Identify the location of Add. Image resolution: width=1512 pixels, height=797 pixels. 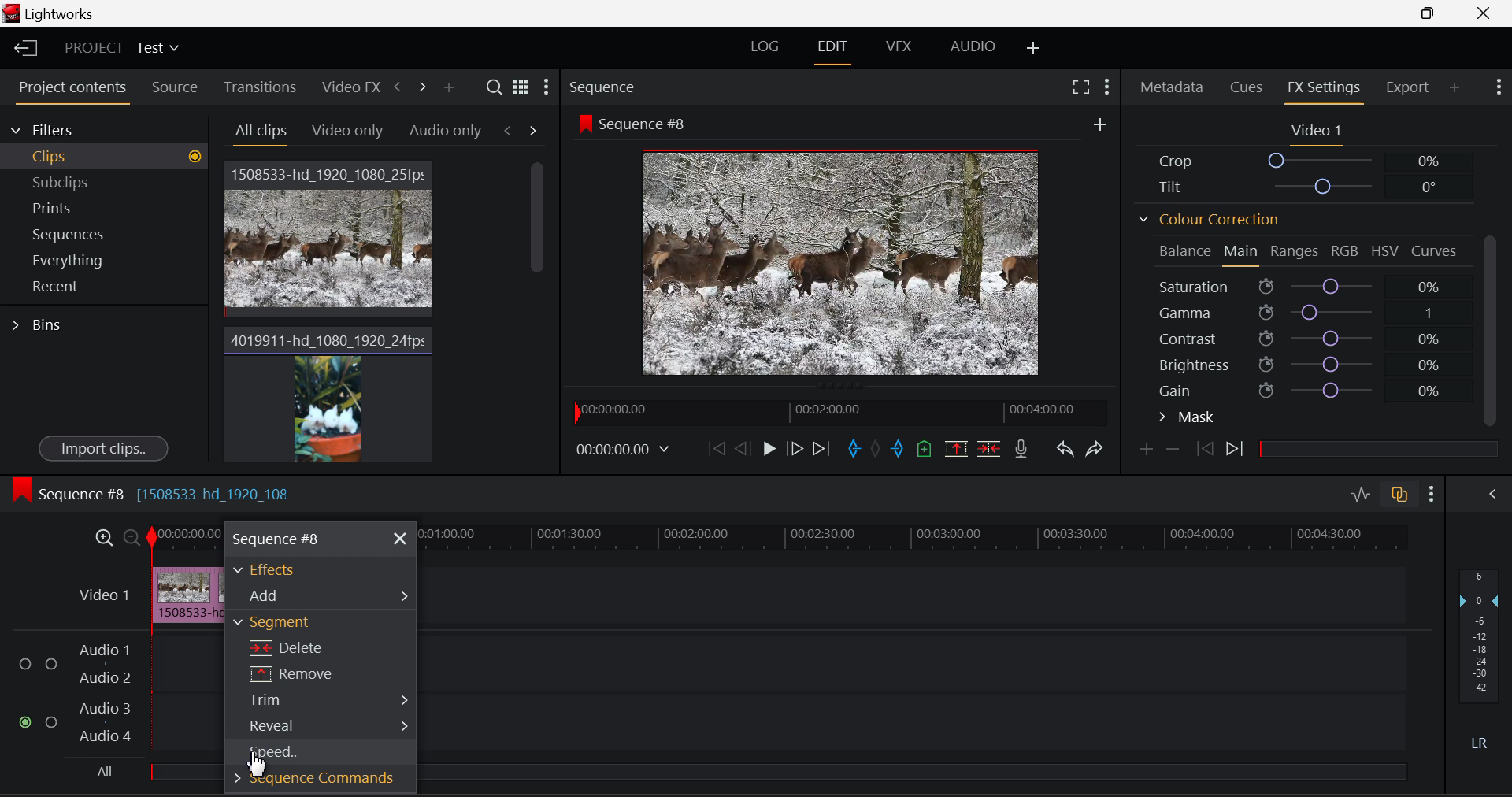
(326, 599).